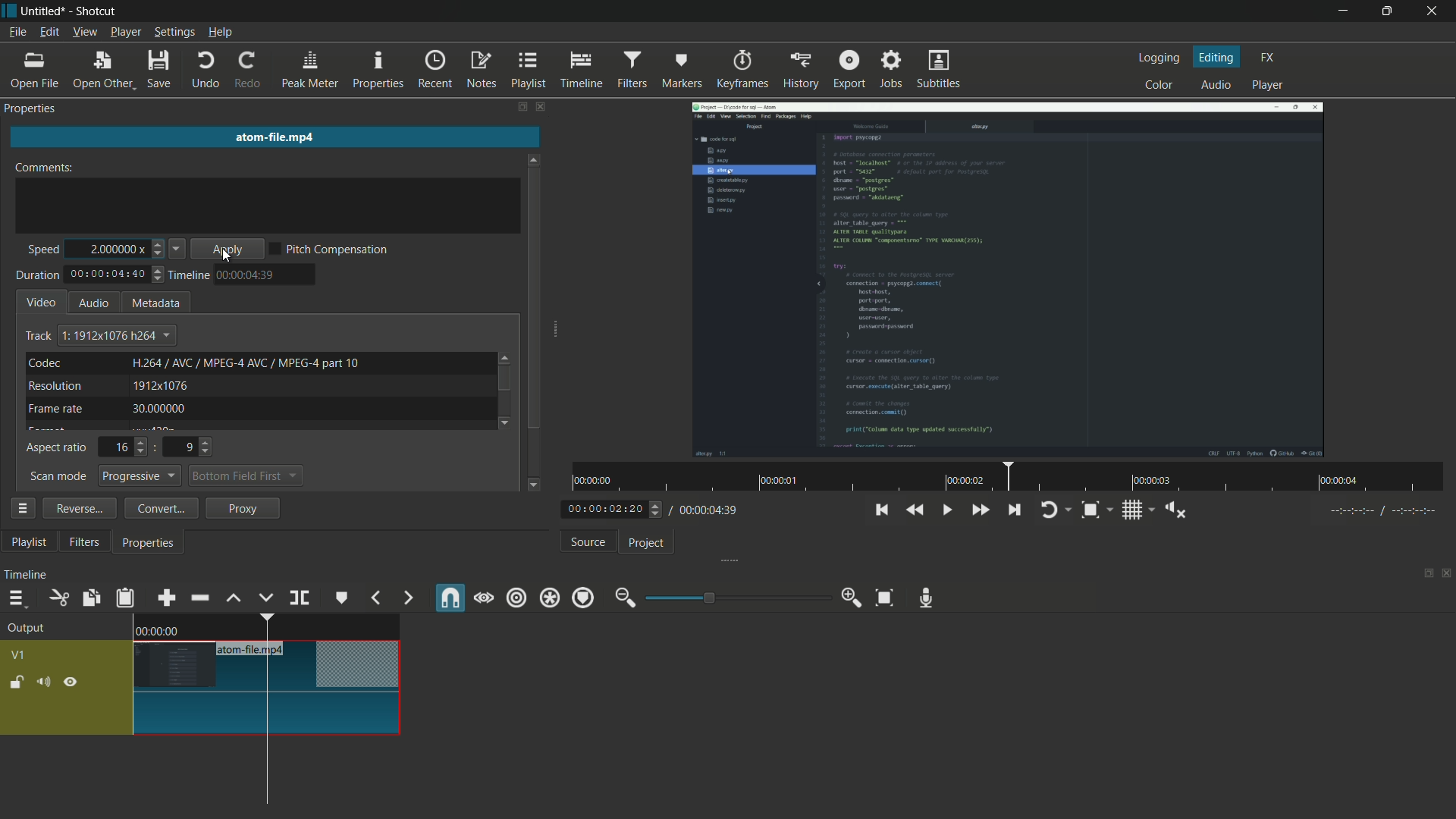 The image size is (1456, 819). I want to click on total time, so click(108, 275).